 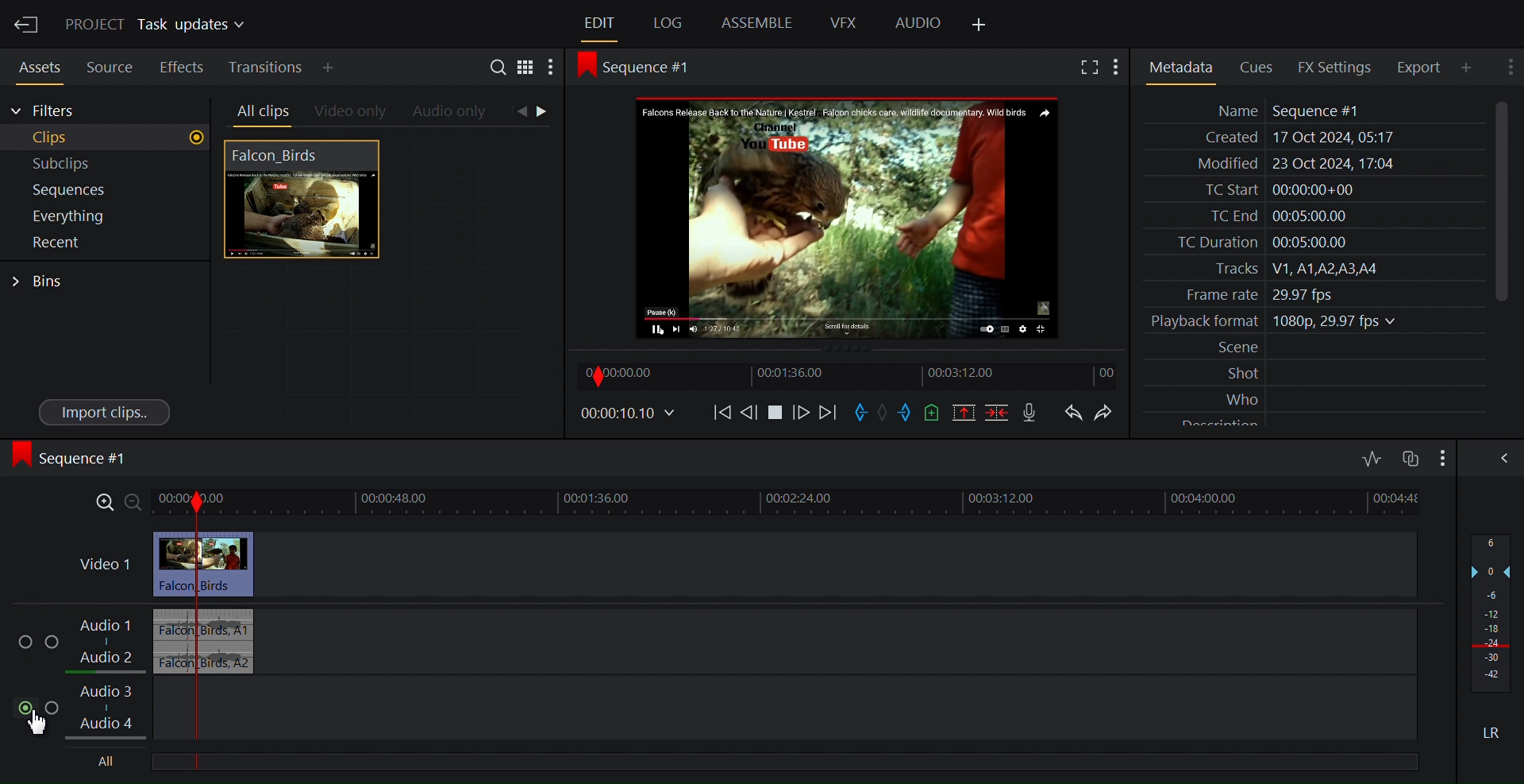 I want to click on Audio 4, so click(x=114, y=726).